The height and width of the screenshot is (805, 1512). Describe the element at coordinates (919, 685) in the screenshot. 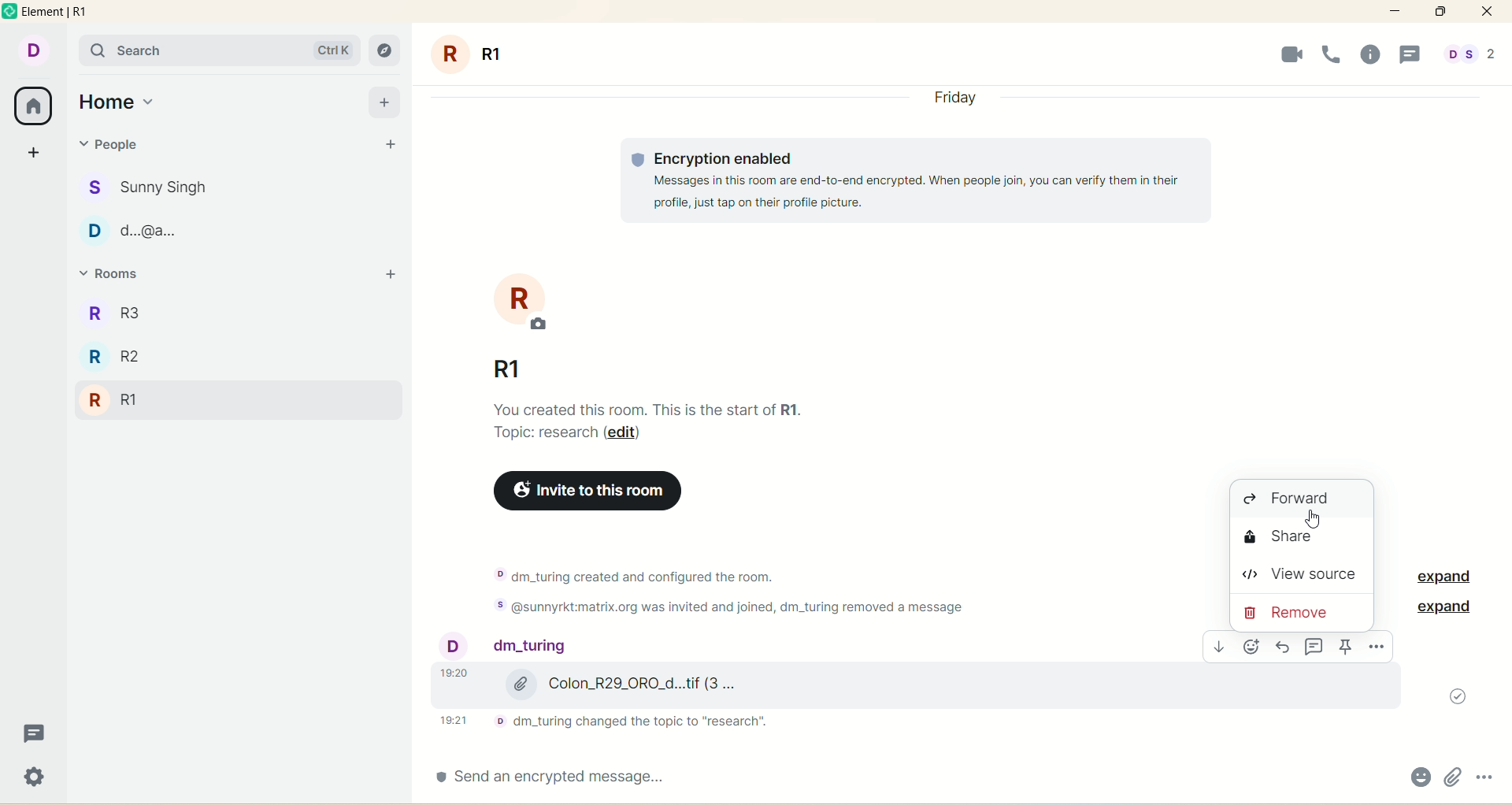

I see `image` at that location.